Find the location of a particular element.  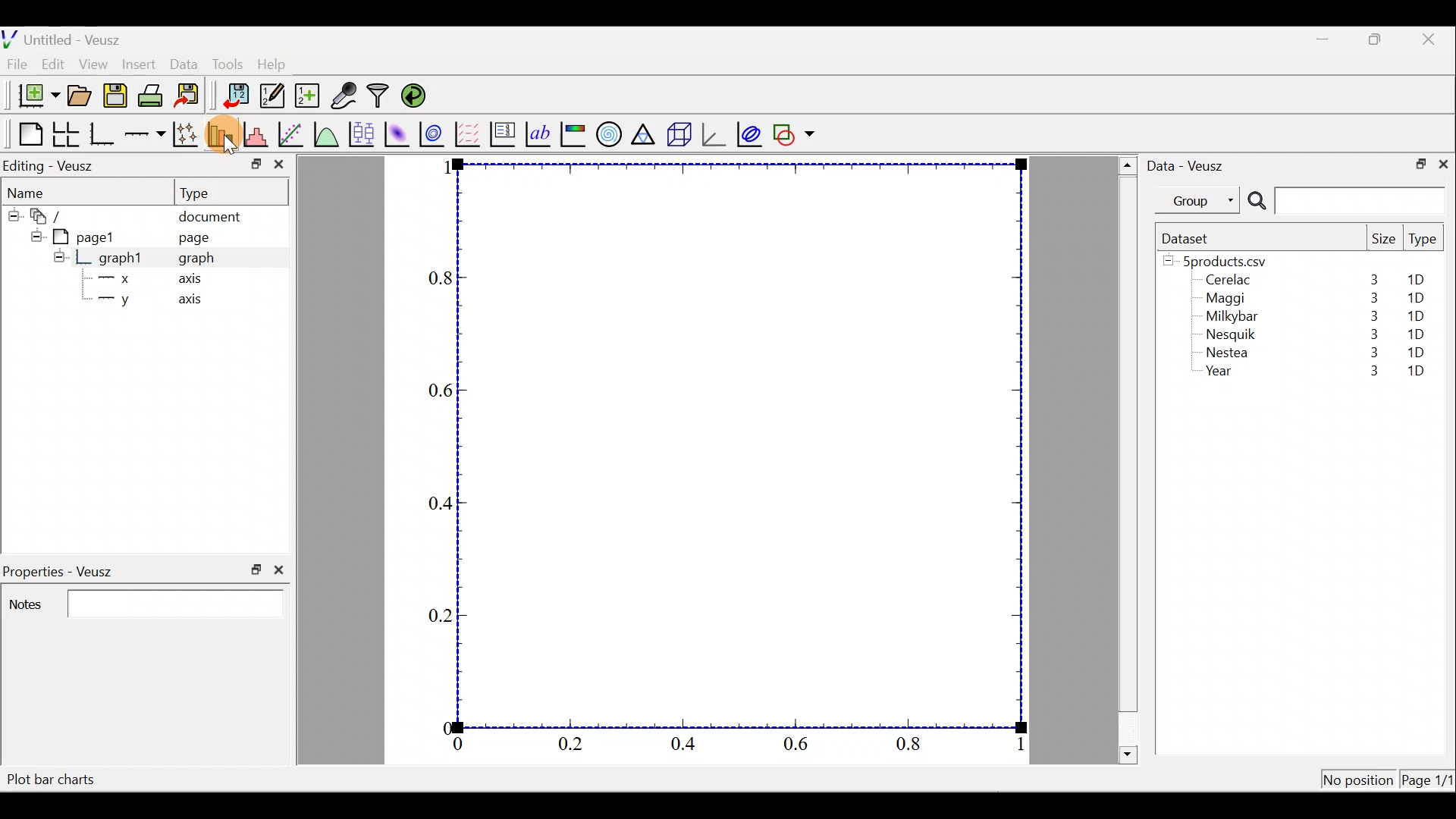

Create new dataset using ranges, parametrically, or as functions of existing datasets. is located at coordinates (309, 96).